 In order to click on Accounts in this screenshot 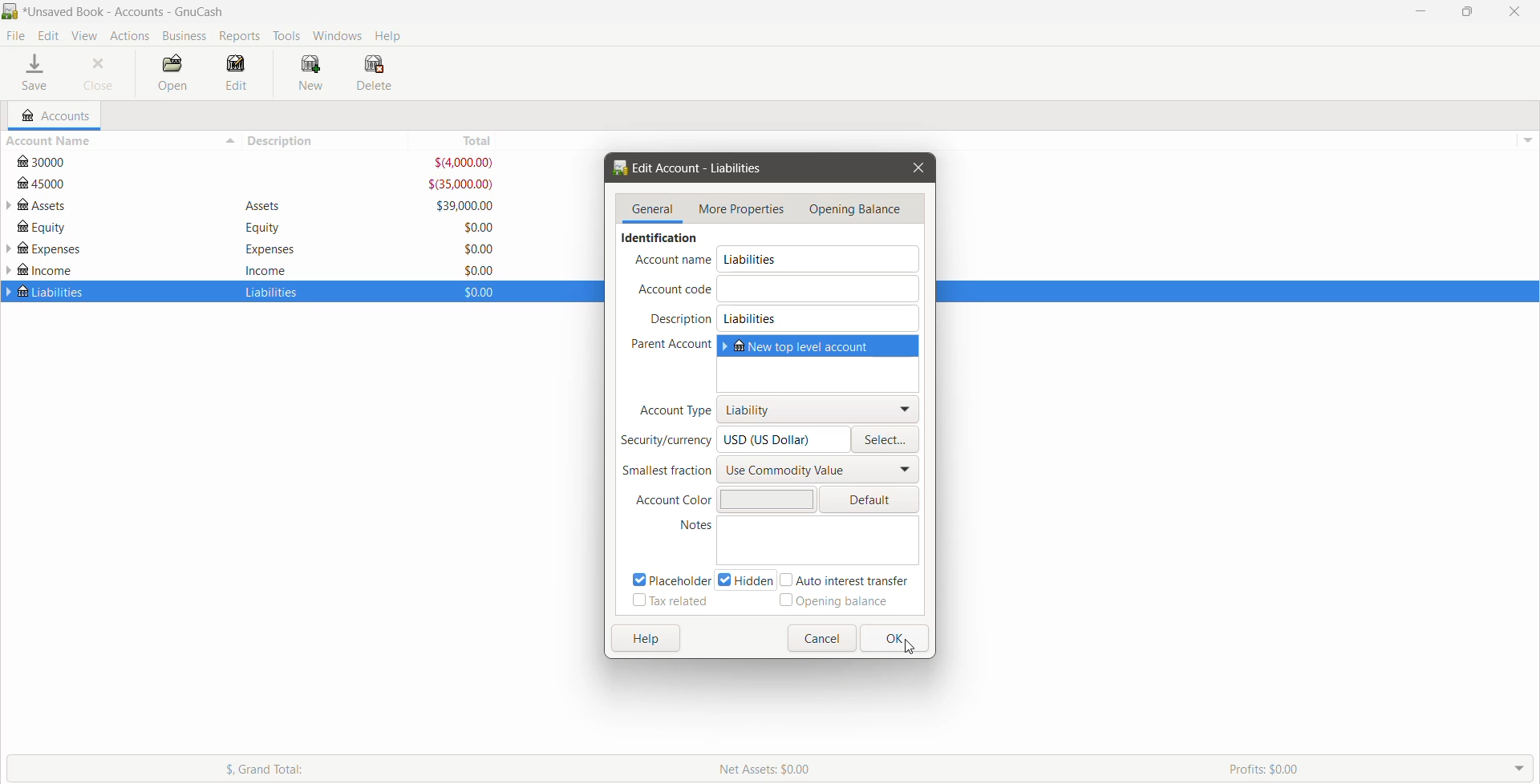, I will do `click(54, 115)`.